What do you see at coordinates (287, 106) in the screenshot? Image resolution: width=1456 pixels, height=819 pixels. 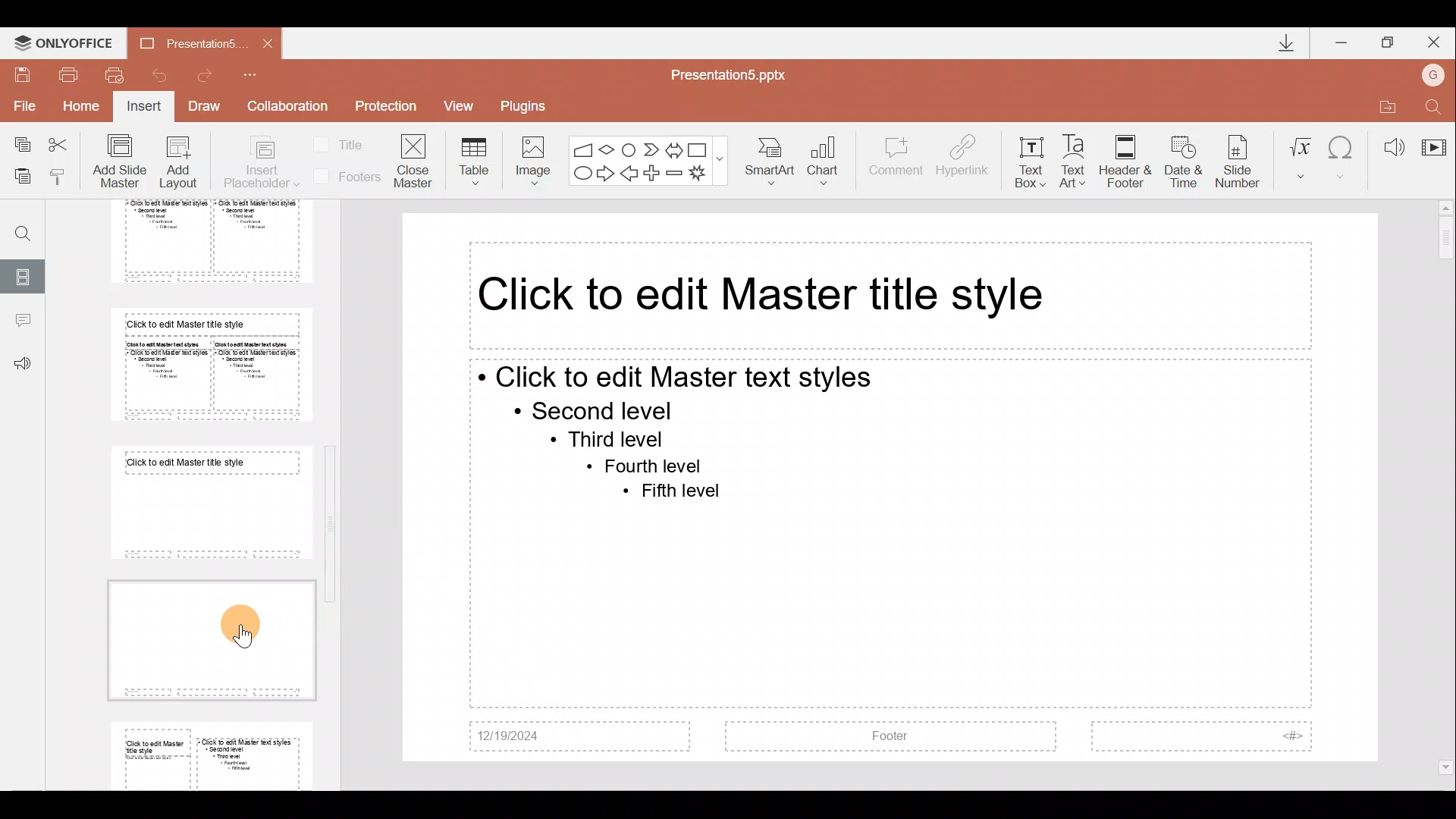 I see `Collaboration` at bounding box center [287, 106].